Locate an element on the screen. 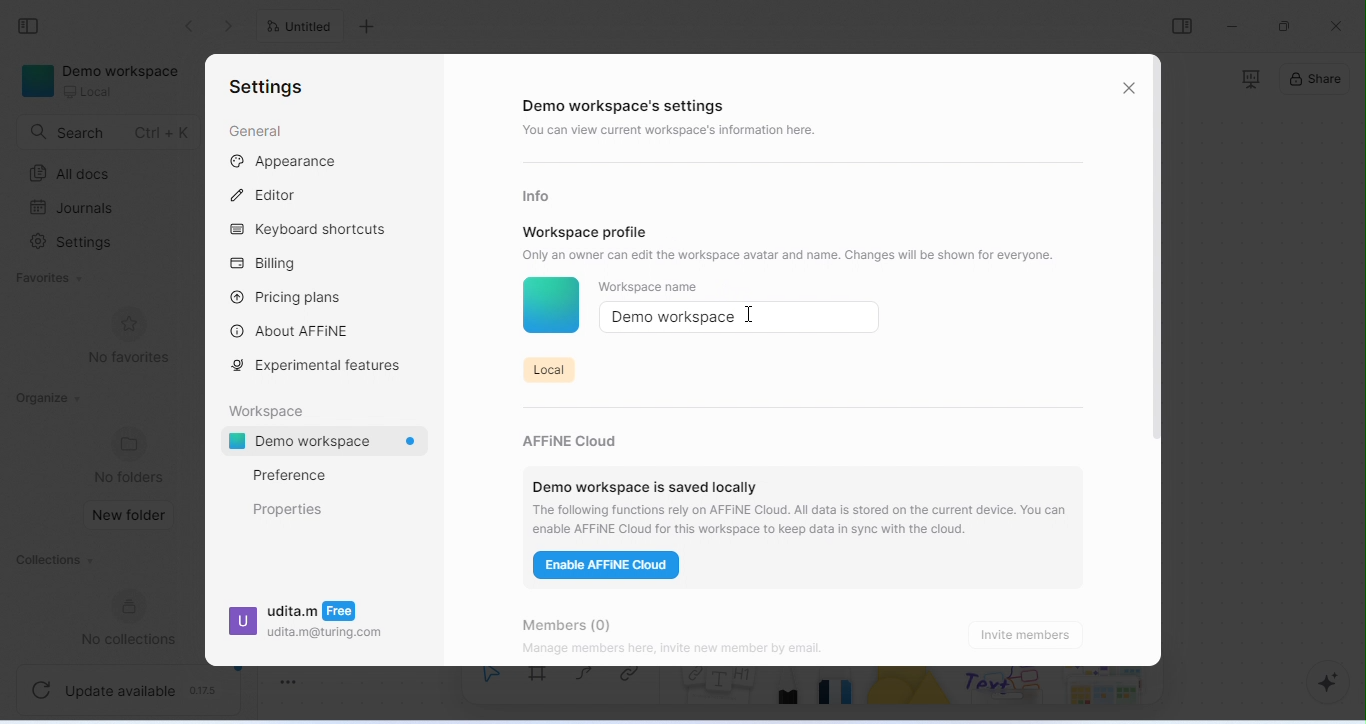 The image size is (1366, 724). keyboard shortcuts is located at coordinates (313, 231).